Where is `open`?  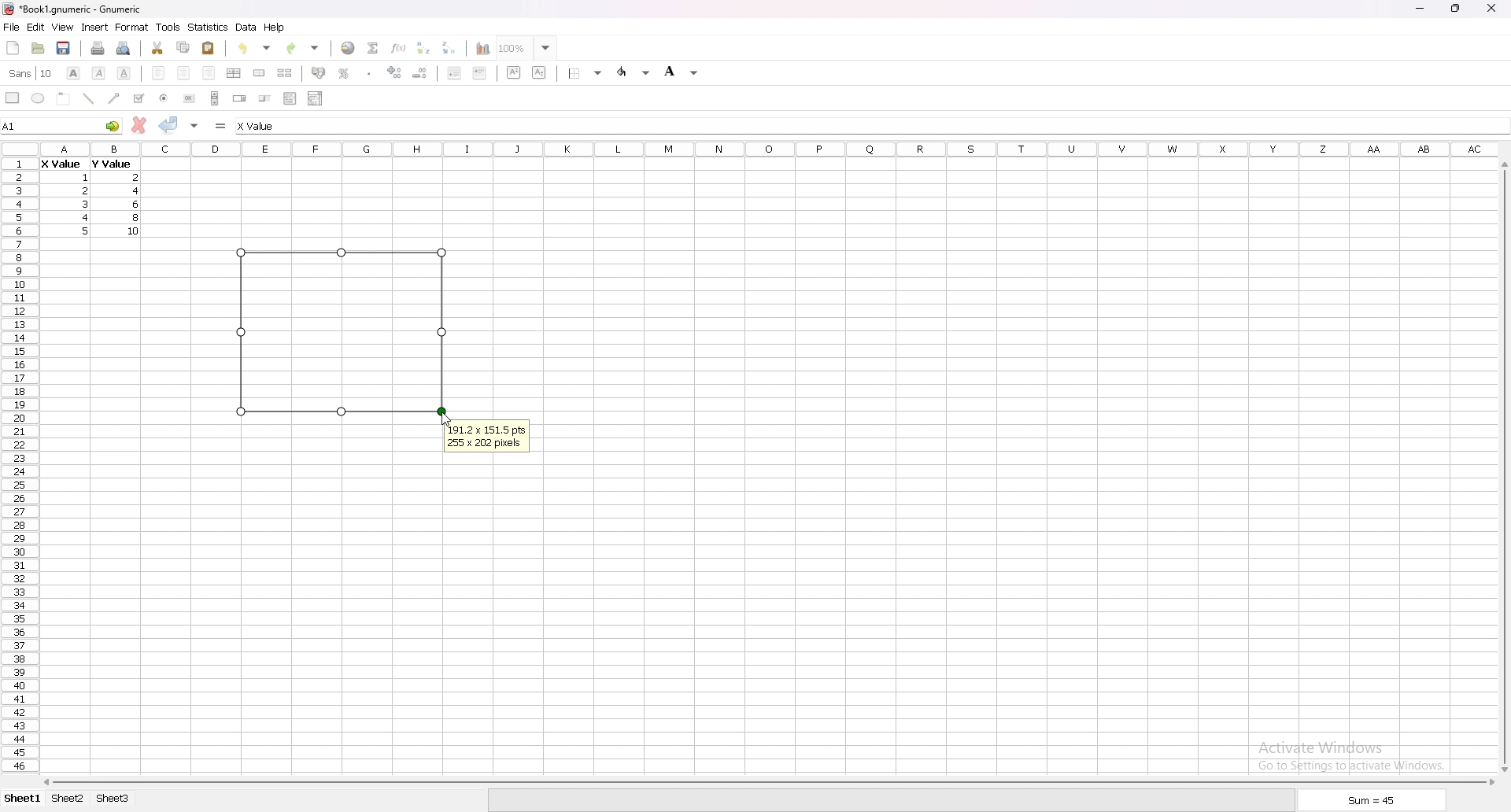
open is located at coordinates (38, 48).